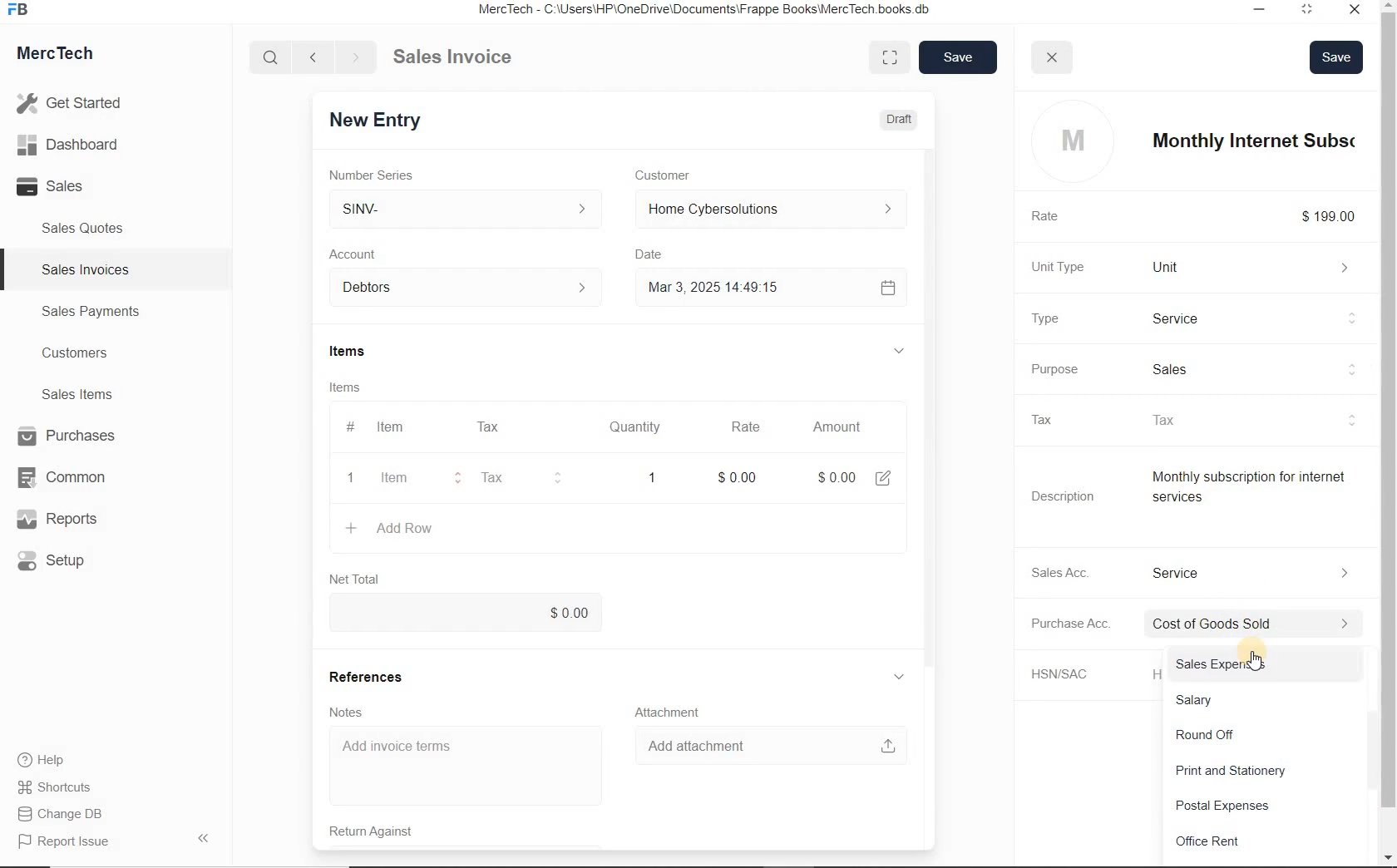 This screenshot has height=868, width=1397. I want to click on HSN/SAC, so click(1078, 674).